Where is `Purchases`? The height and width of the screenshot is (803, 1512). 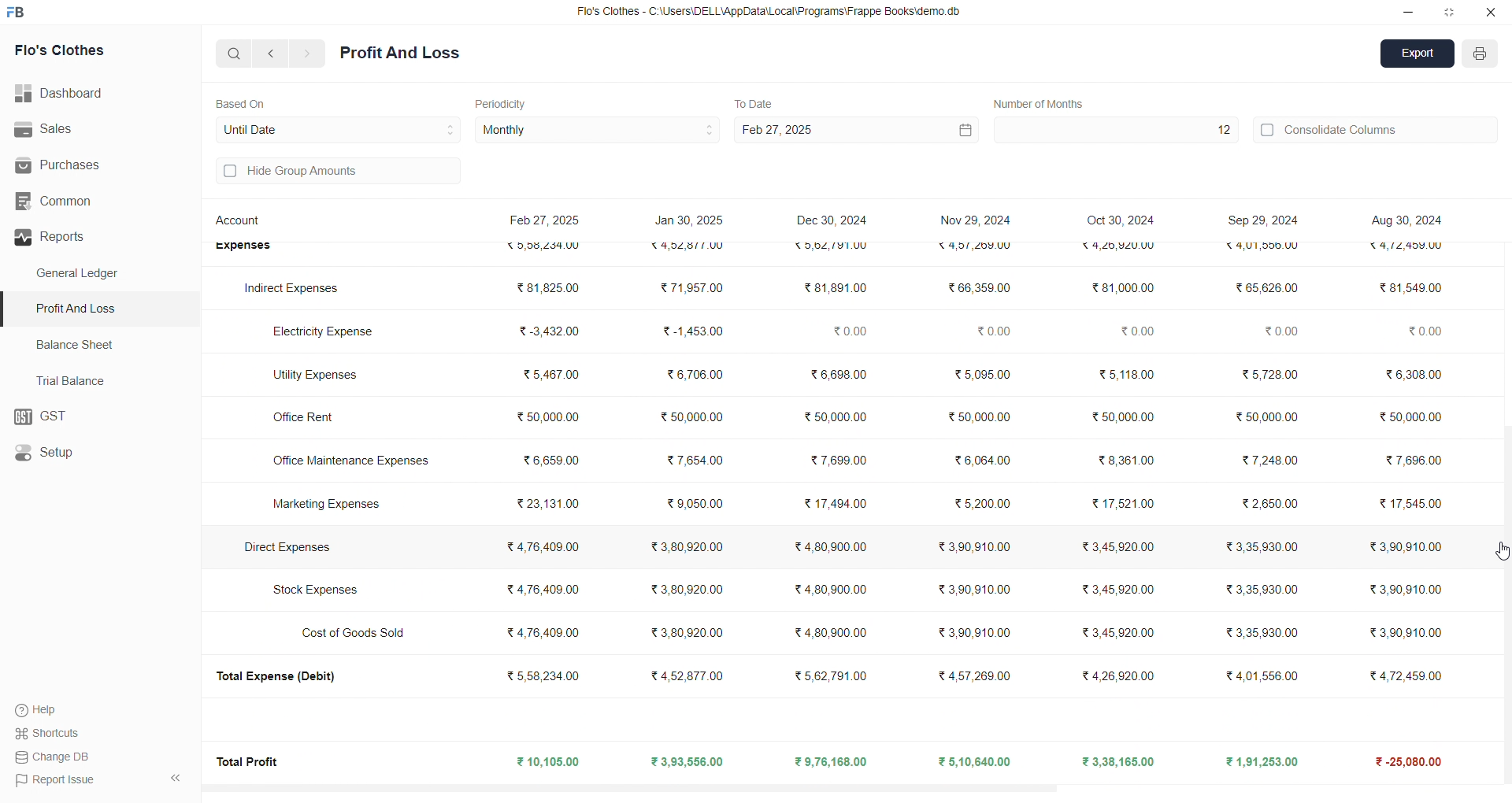 Purchases is located at coordinates (76, 165).